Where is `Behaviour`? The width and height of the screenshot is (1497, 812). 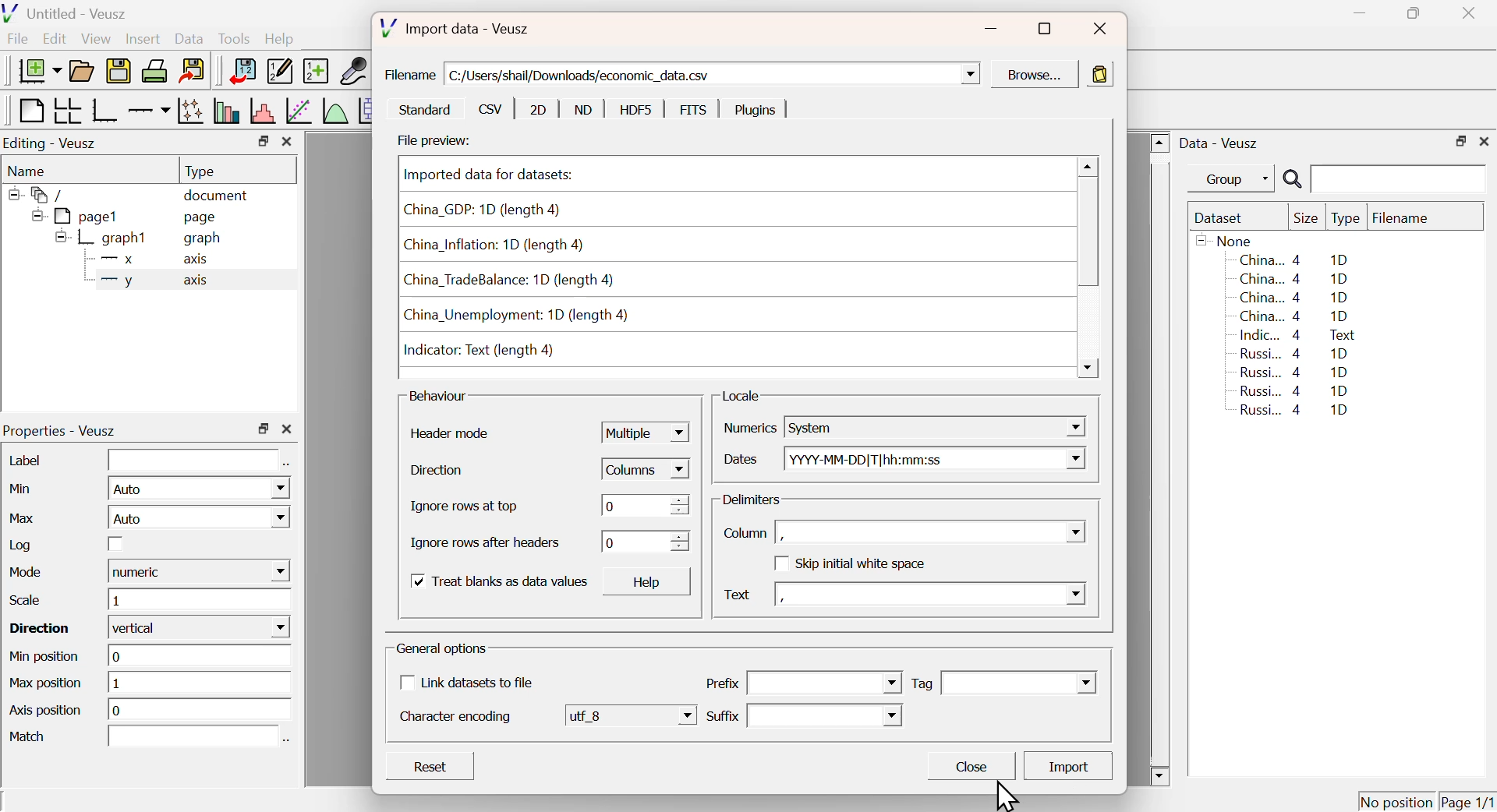 Behaviour is located at coordinates (437, 397).